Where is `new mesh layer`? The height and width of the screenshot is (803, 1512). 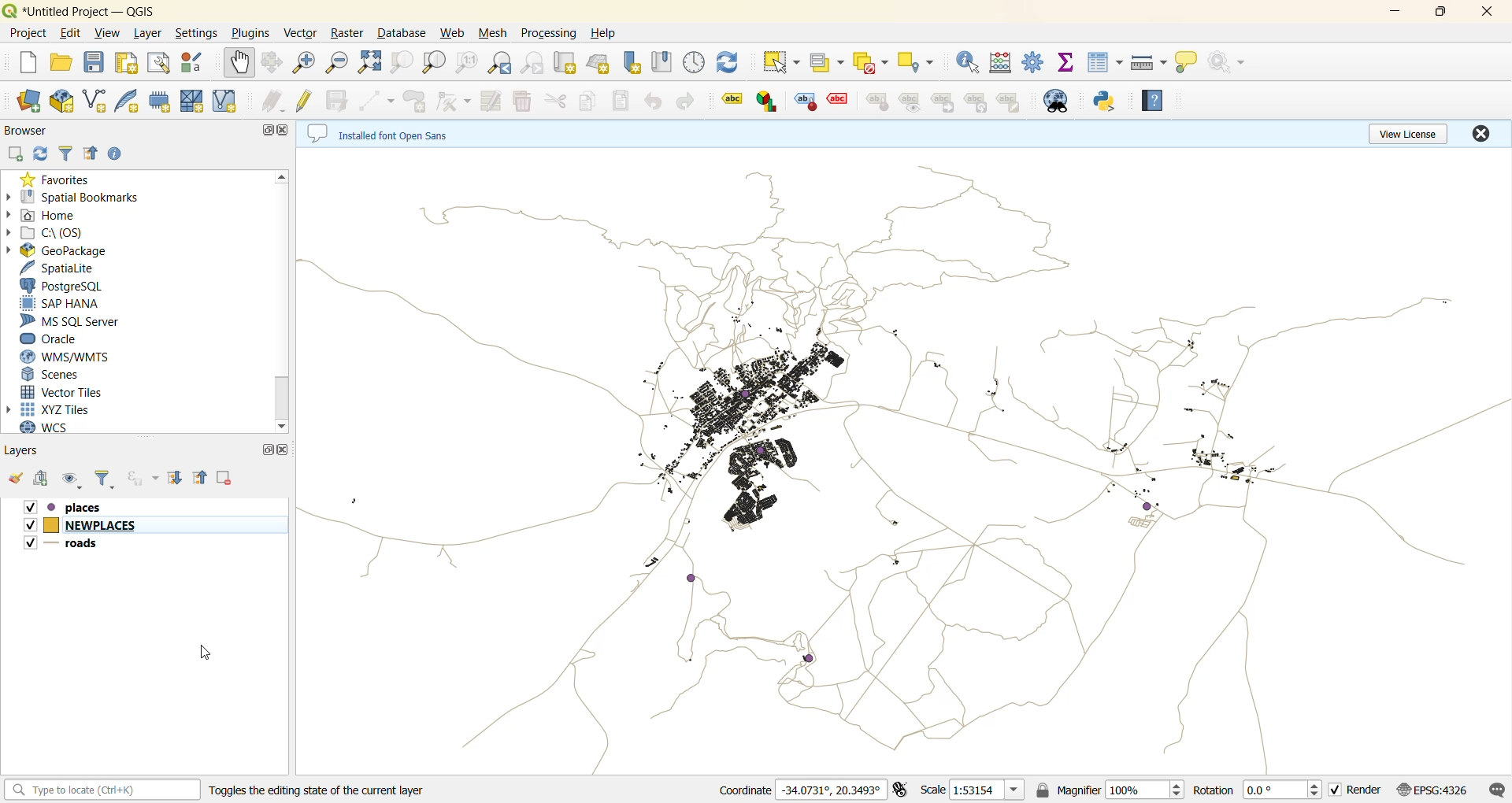 new mesh layer is located at coordinates (194, 100).